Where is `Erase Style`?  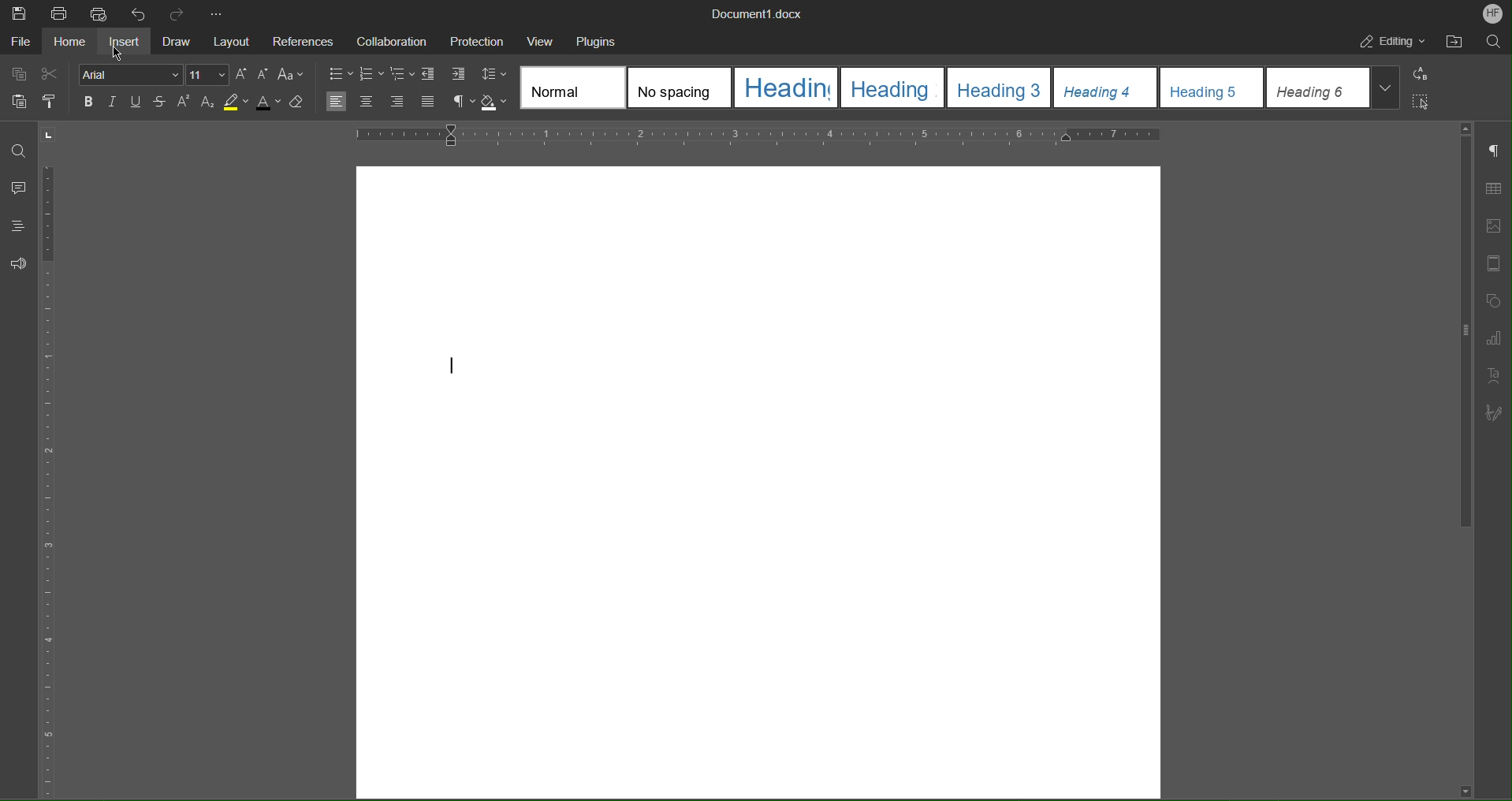 Erase Style is located at coordinates (303, 104).